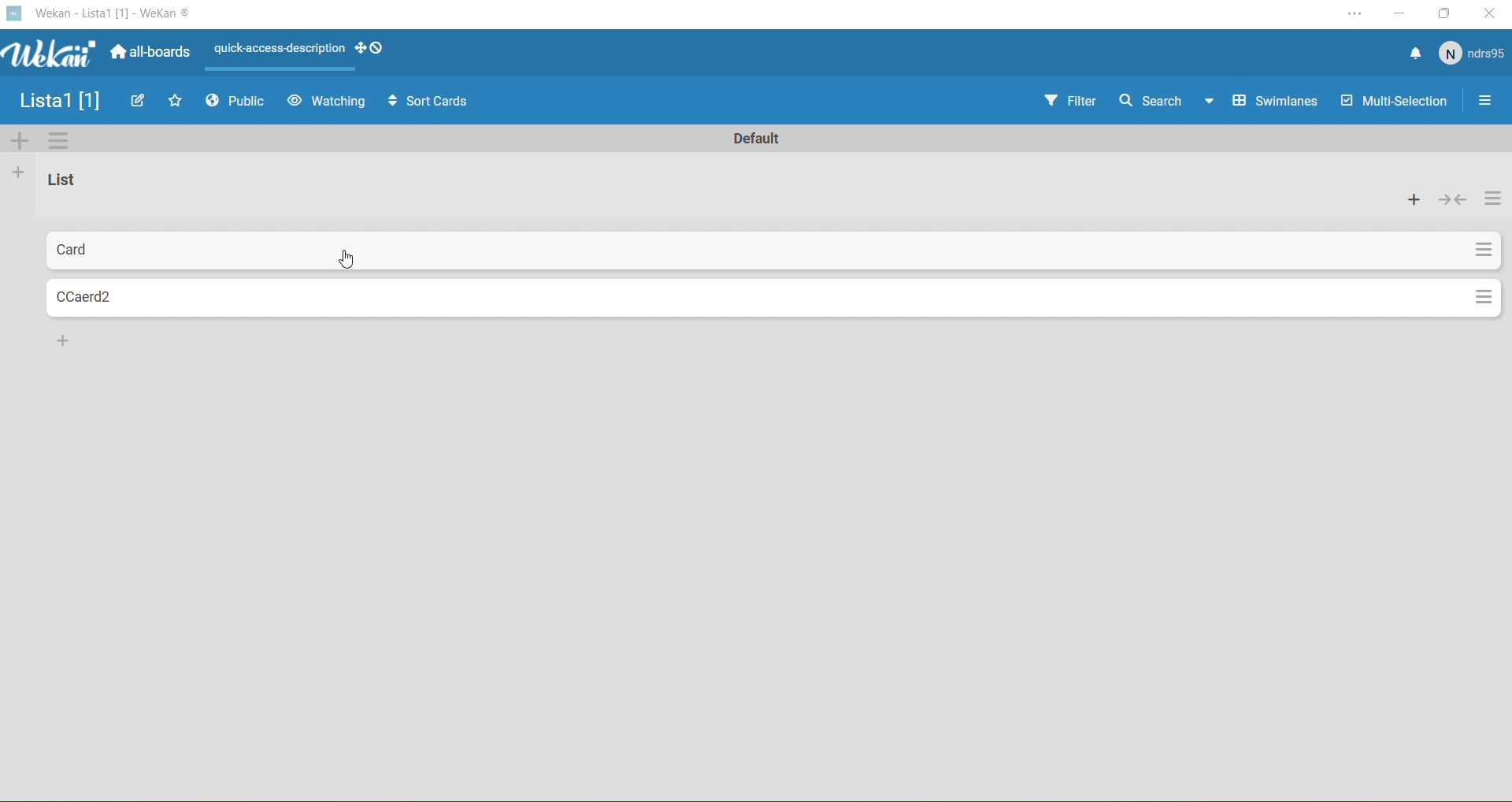 This screenshot has height=802, width=1512. Describe the element at coordinates (46, 55) in the screenshot. I see `Wekan logo` at that location.